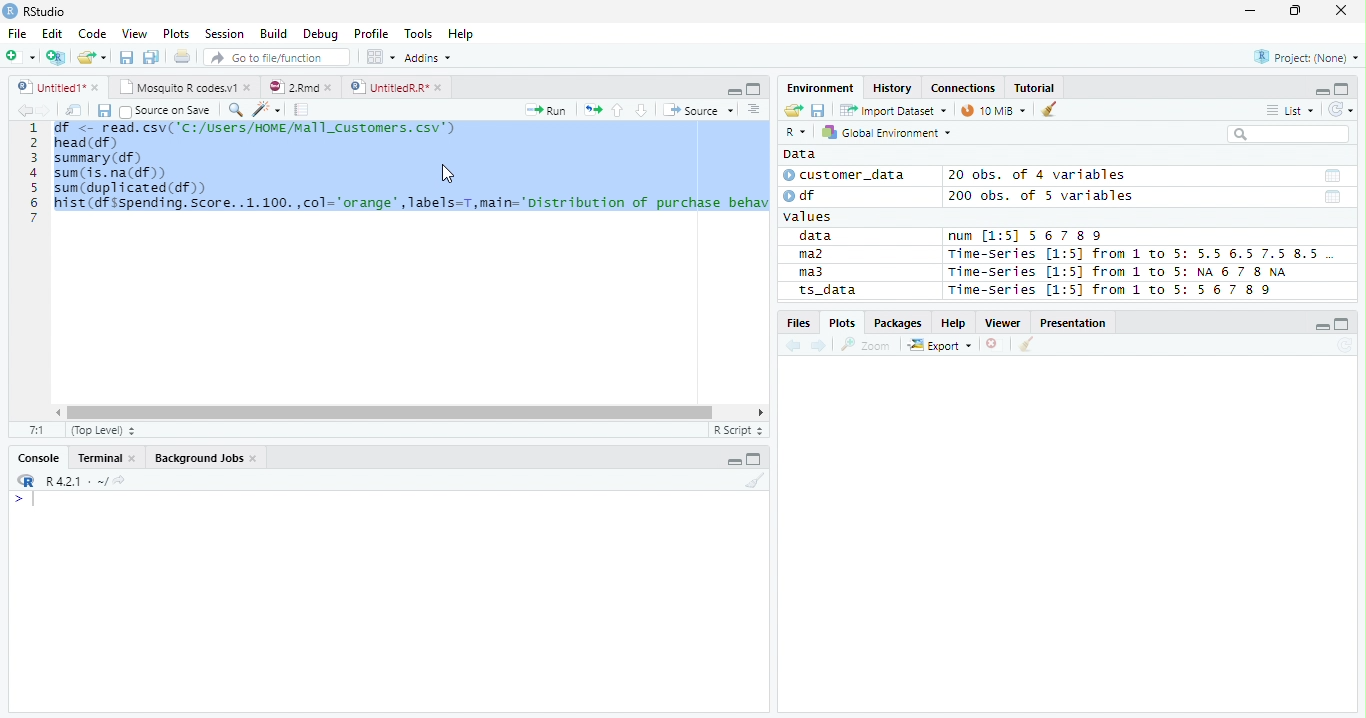 This screenshot has width=1366, height=718. I want to click on Code Tools, so click(266, 110).